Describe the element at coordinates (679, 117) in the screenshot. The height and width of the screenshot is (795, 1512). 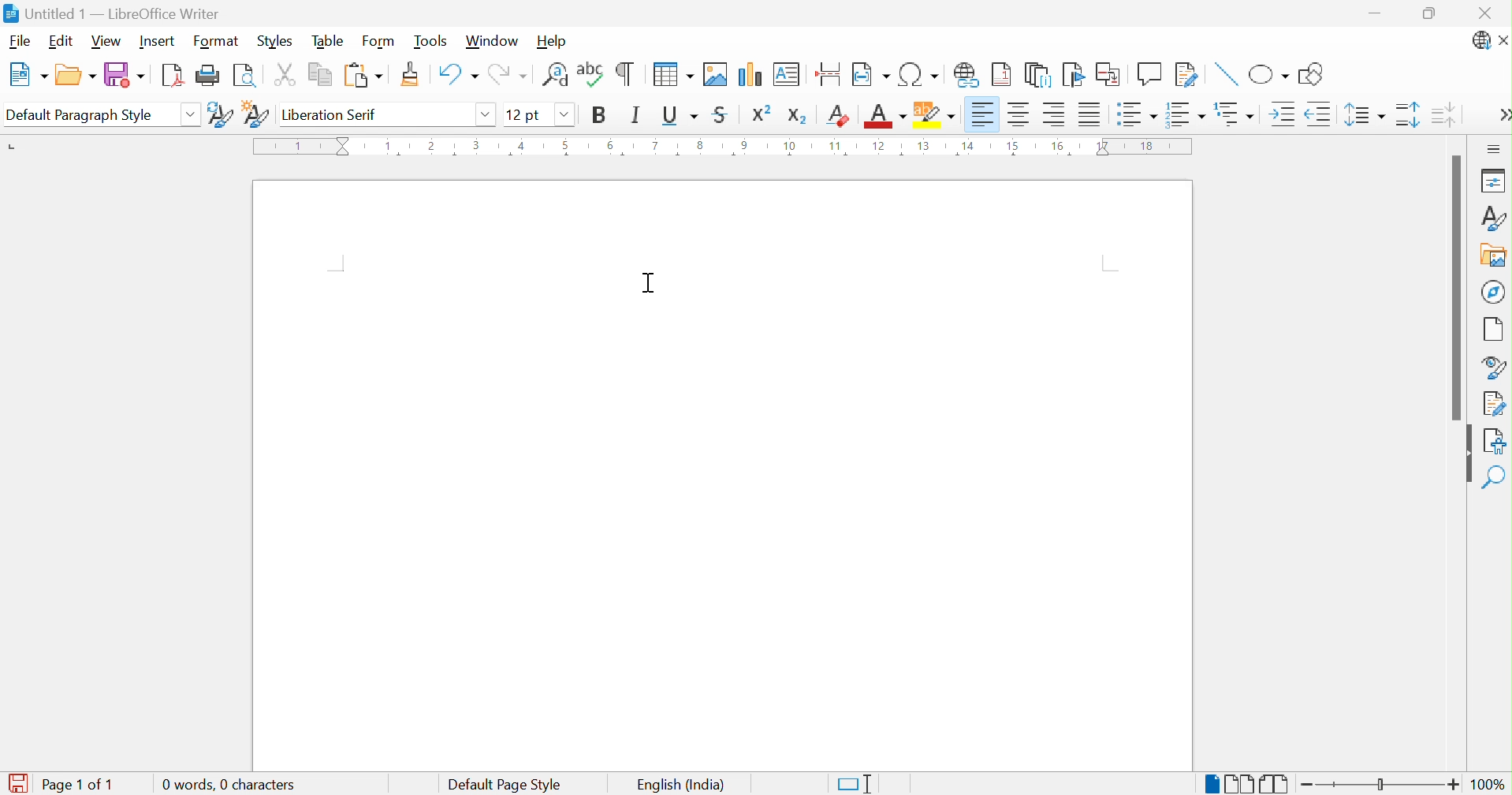
I see `Underline` at that location.